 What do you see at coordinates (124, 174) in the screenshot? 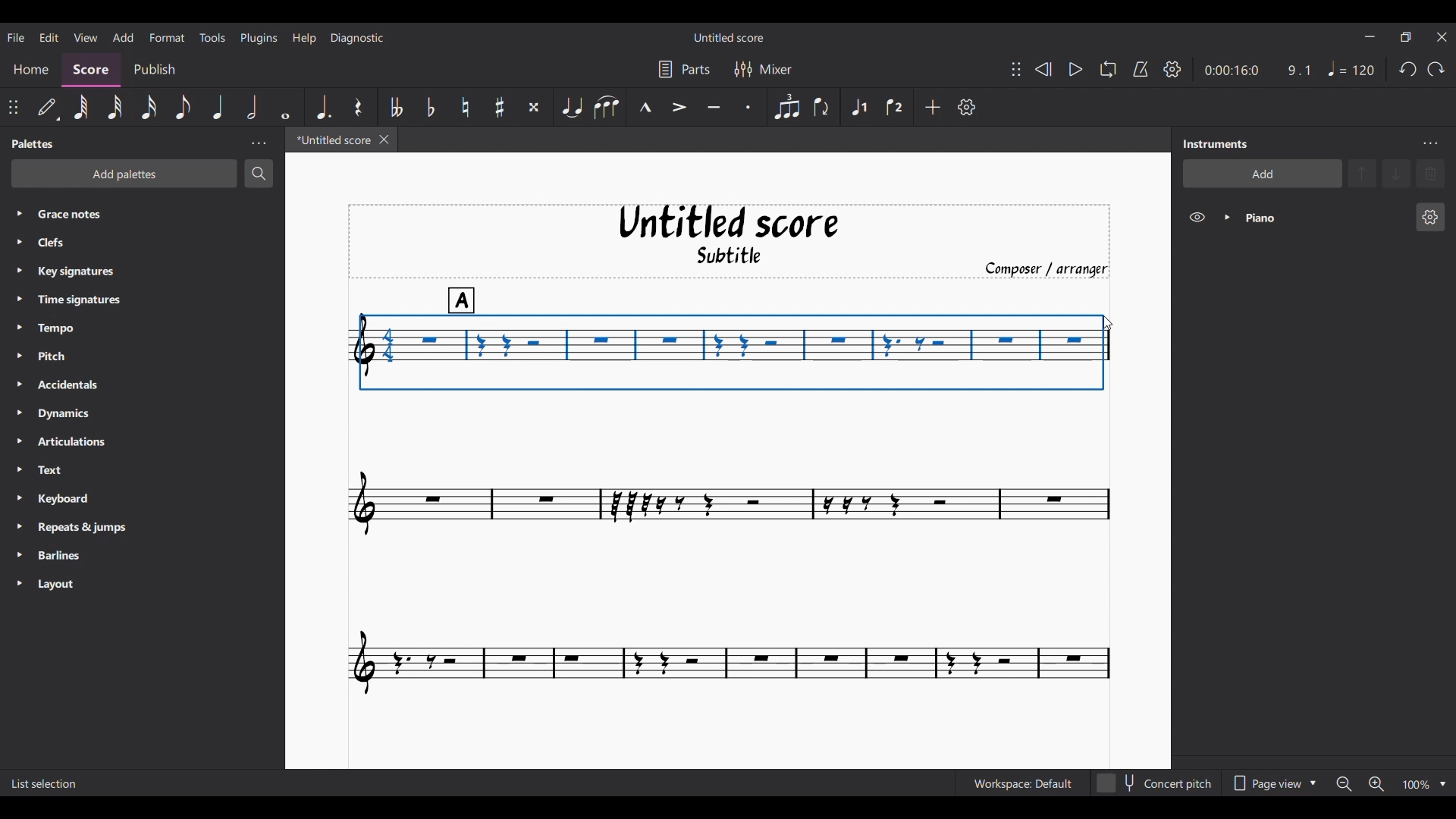
I see `Add palette` at bounding box center [124, 174].